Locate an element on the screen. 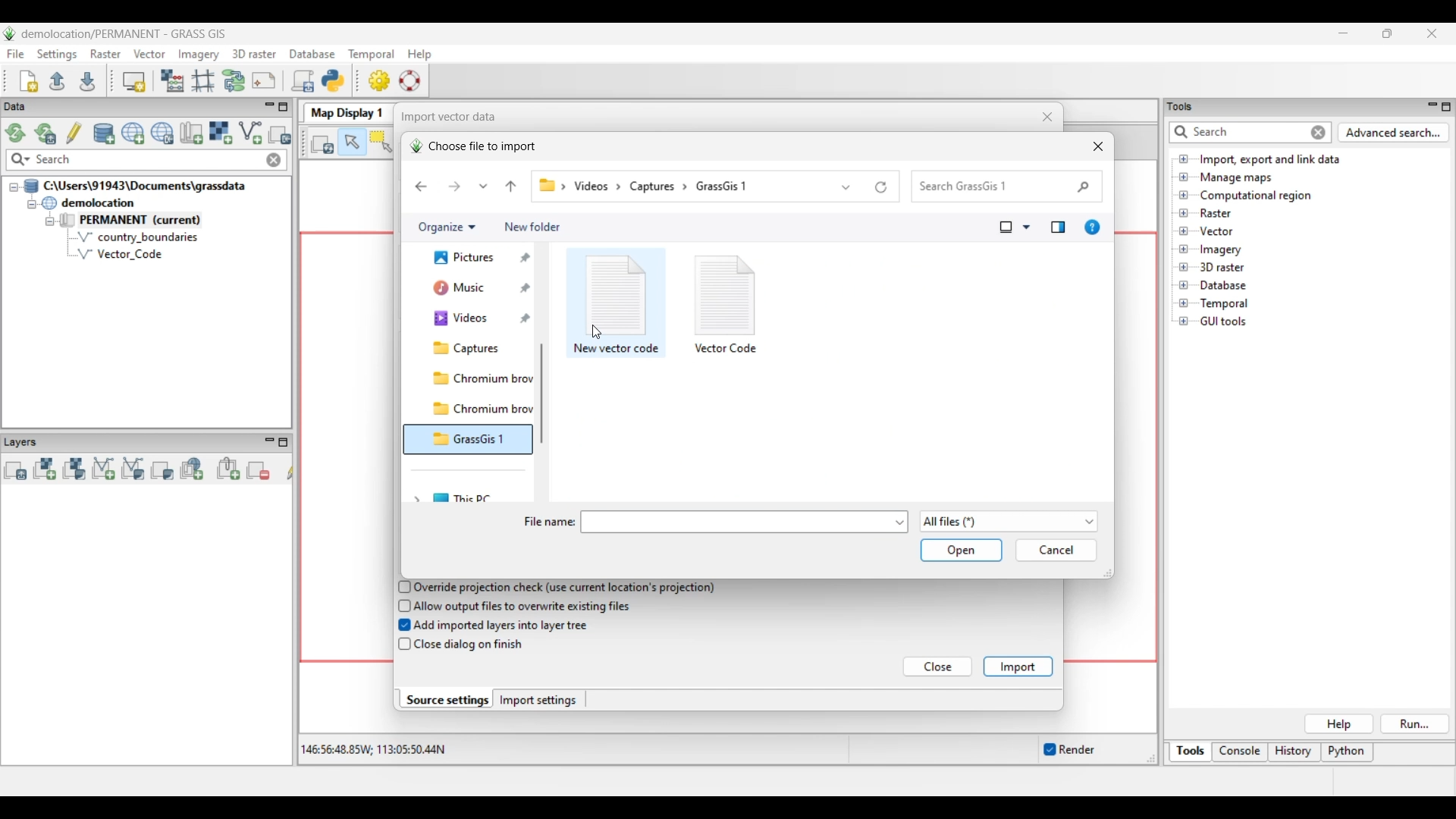 The image size is (1456, 819). Vector Code is located at coordinates (128, 253).